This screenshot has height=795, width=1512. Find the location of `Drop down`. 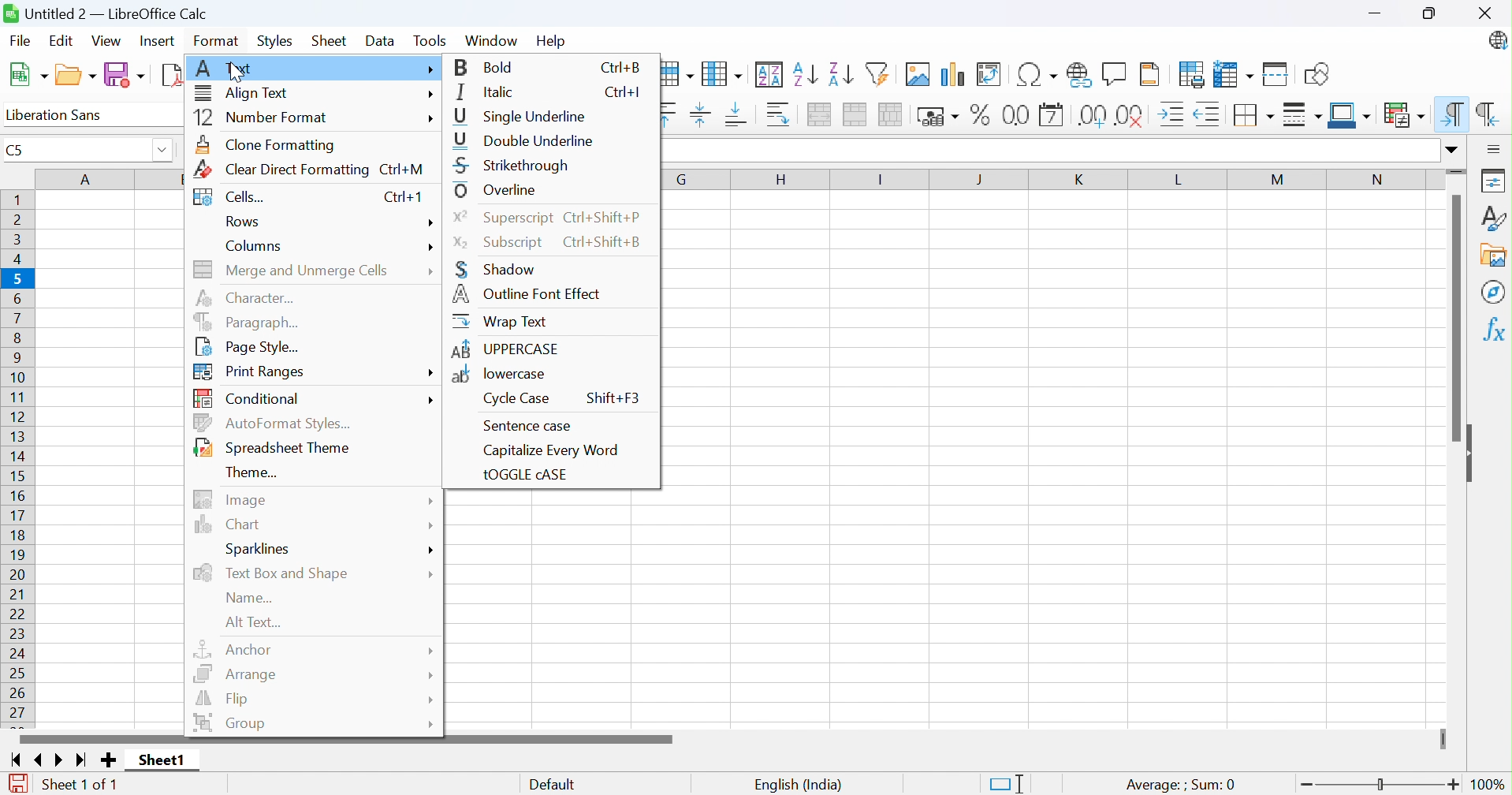

Drop down is located at coordinates (166, 151).